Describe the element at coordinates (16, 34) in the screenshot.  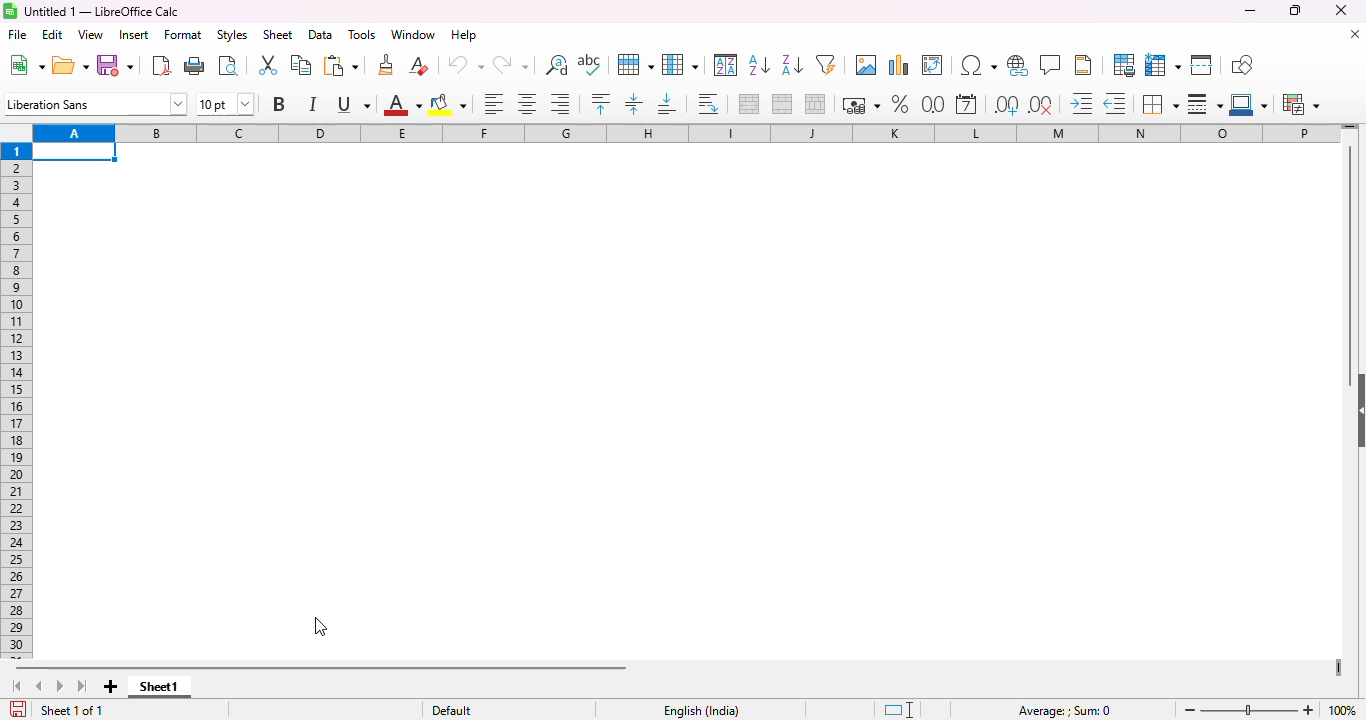
I see `file` at that location.